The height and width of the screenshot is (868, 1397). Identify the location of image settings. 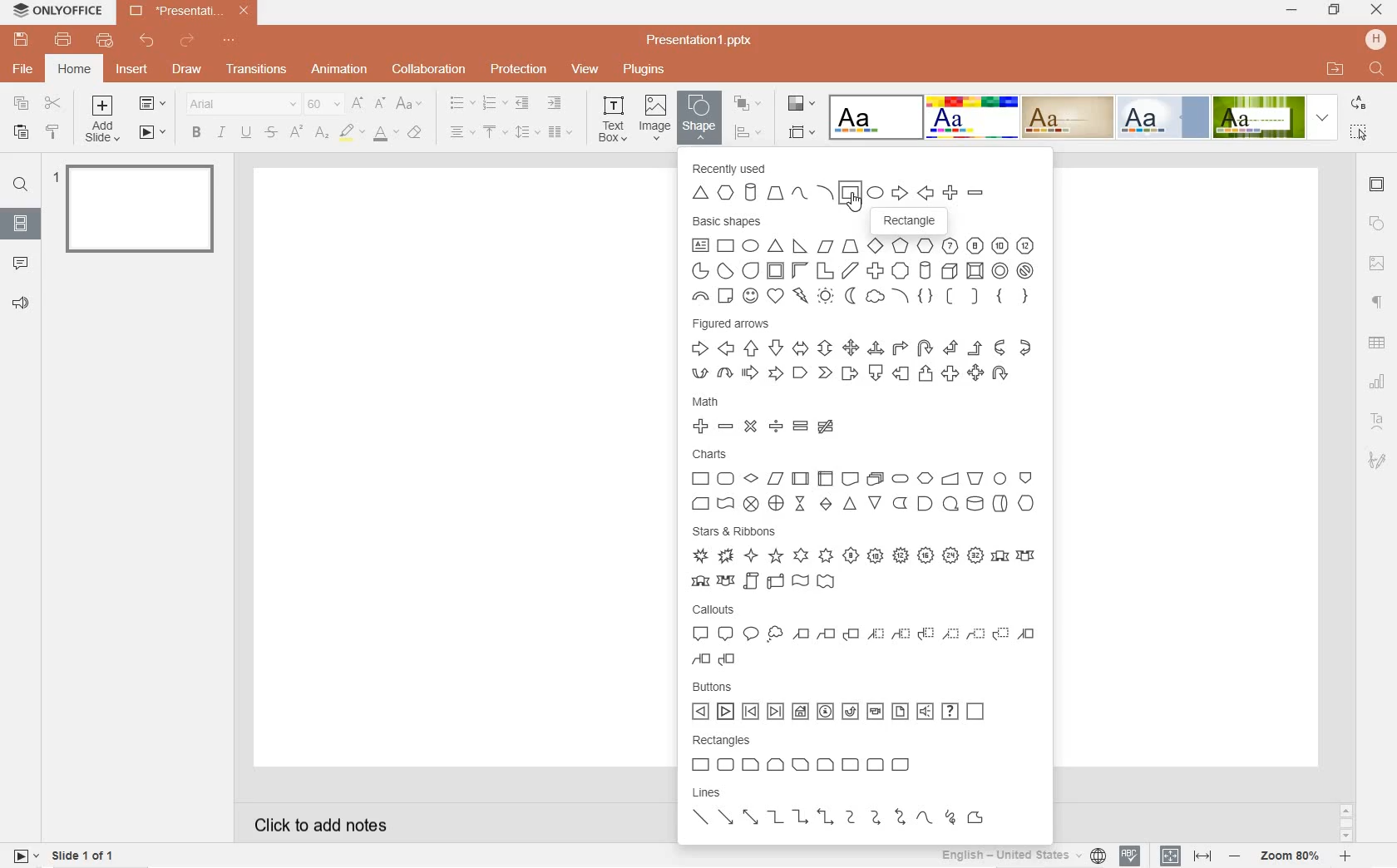
(1377, 264).